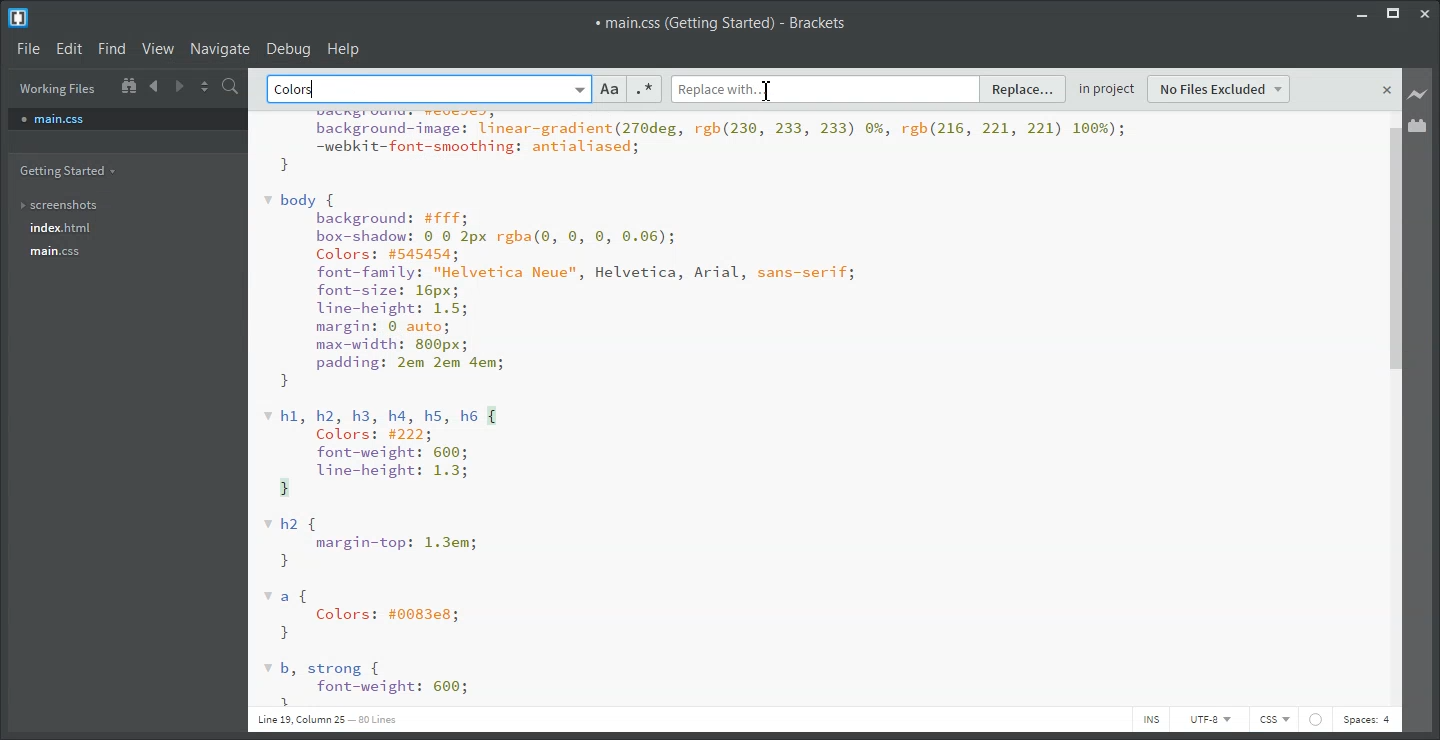 This screenshot has width=1440, height=740. Describe the element at coordinates (1108, 86) in the screenshot. I see `in project` at that location.